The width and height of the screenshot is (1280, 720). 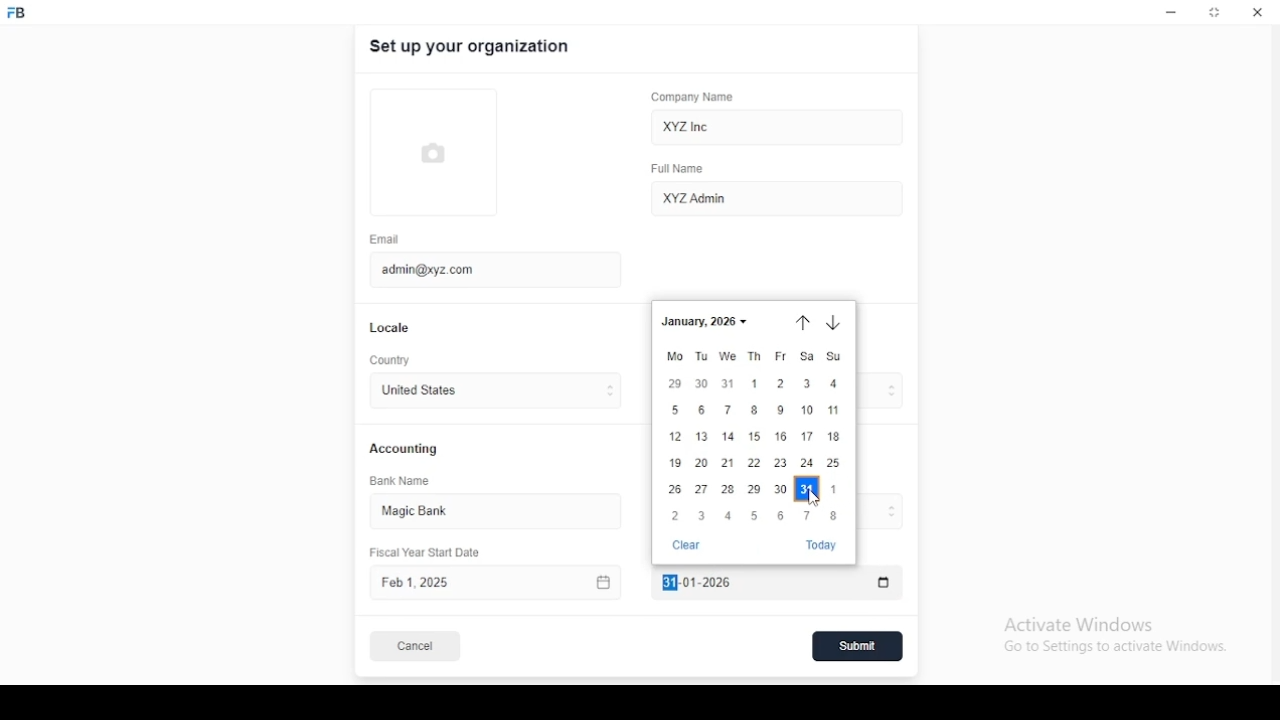 I want to click on 31, so click(x=730, y=385).